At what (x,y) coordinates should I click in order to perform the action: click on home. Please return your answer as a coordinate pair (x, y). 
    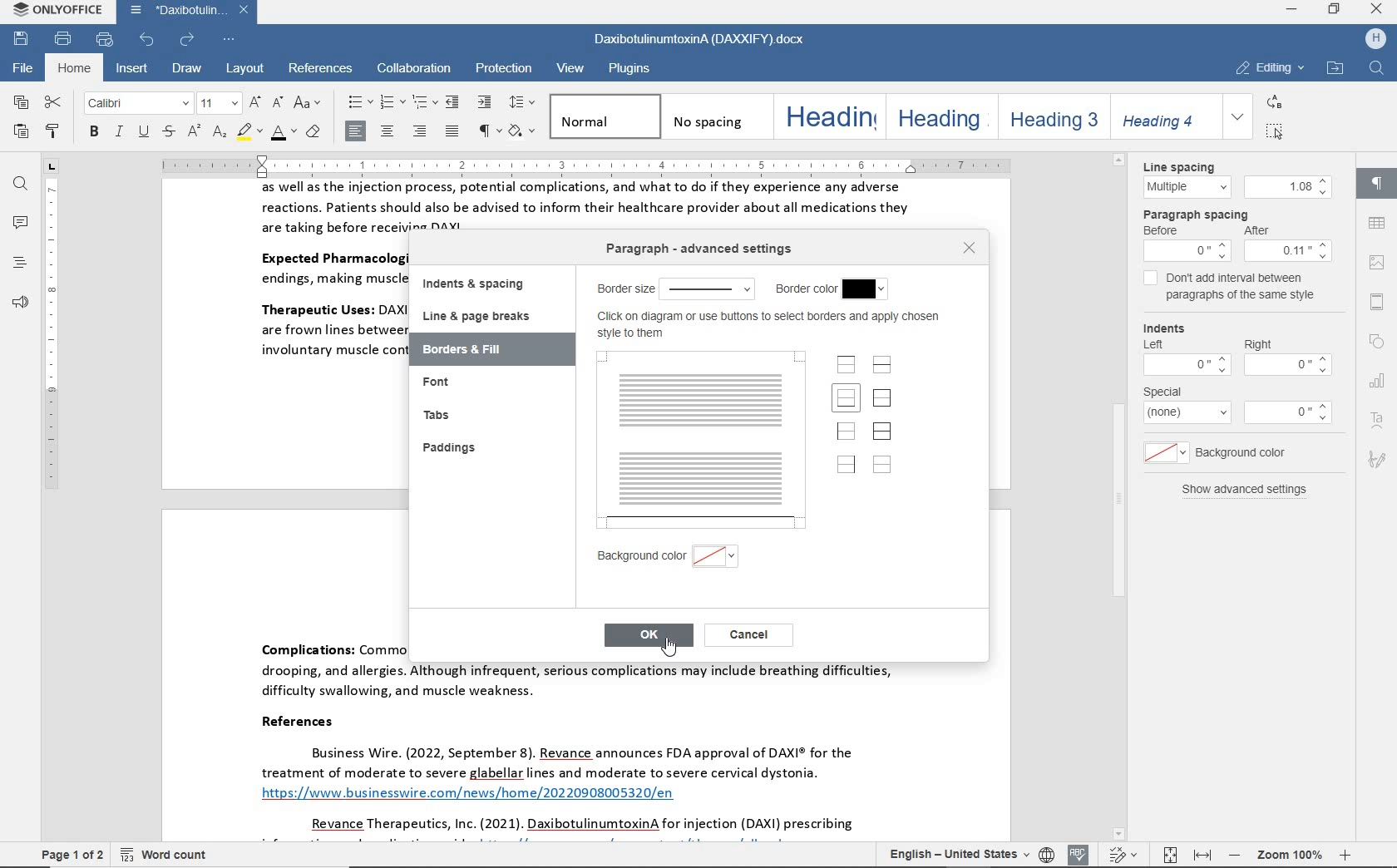
    Looking at the image, I should click on (76, 68).